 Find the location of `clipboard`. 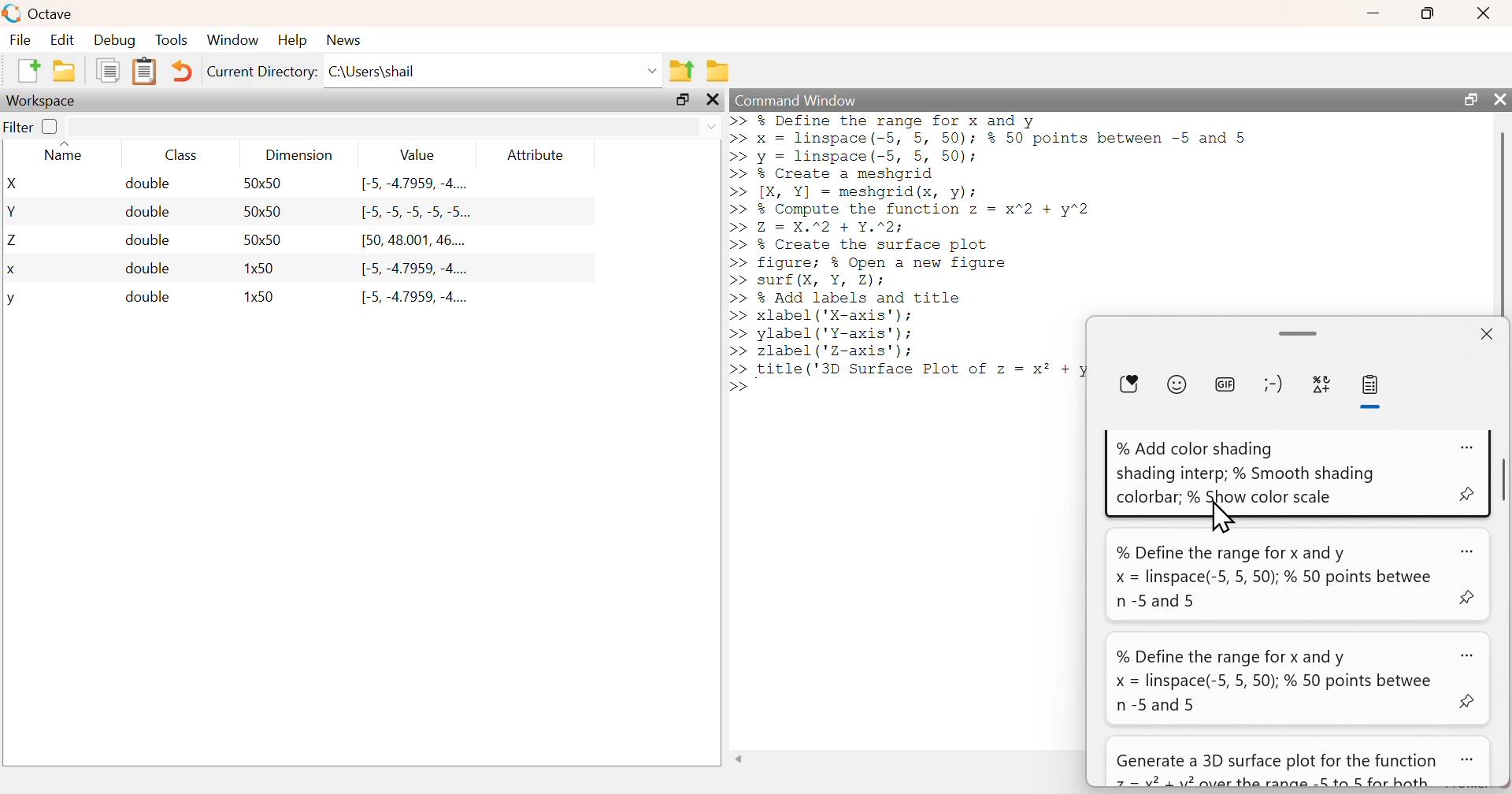

clipboard is located at coordinates (1373, 385).